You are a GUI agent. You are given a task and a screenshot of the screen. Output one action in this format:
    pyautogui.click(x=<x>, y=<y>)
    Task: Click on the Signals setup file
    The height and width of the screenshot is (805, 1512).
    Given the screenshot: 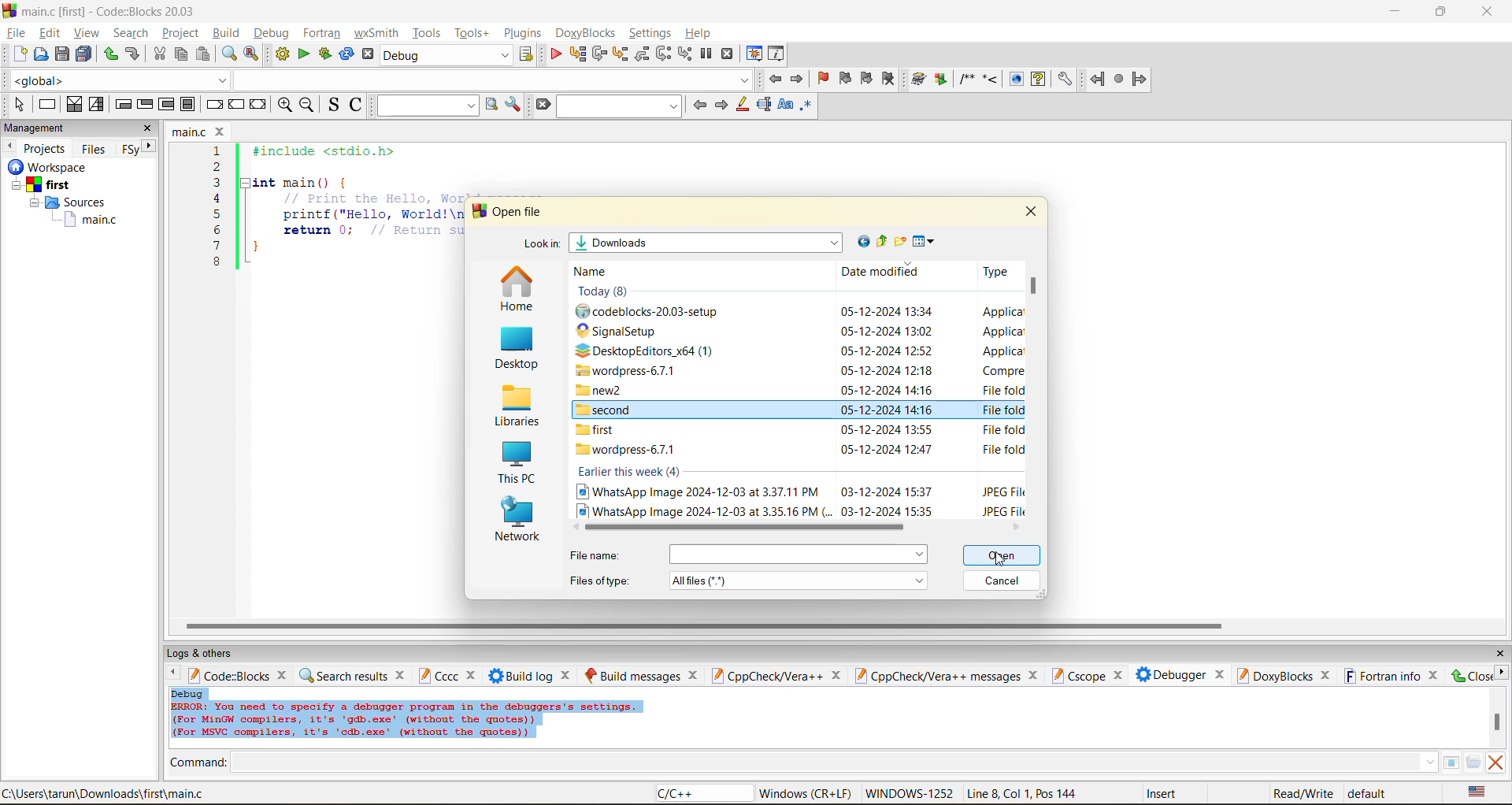 What is the action you would take?
    pyautogui.click(x=625, y=331)
    